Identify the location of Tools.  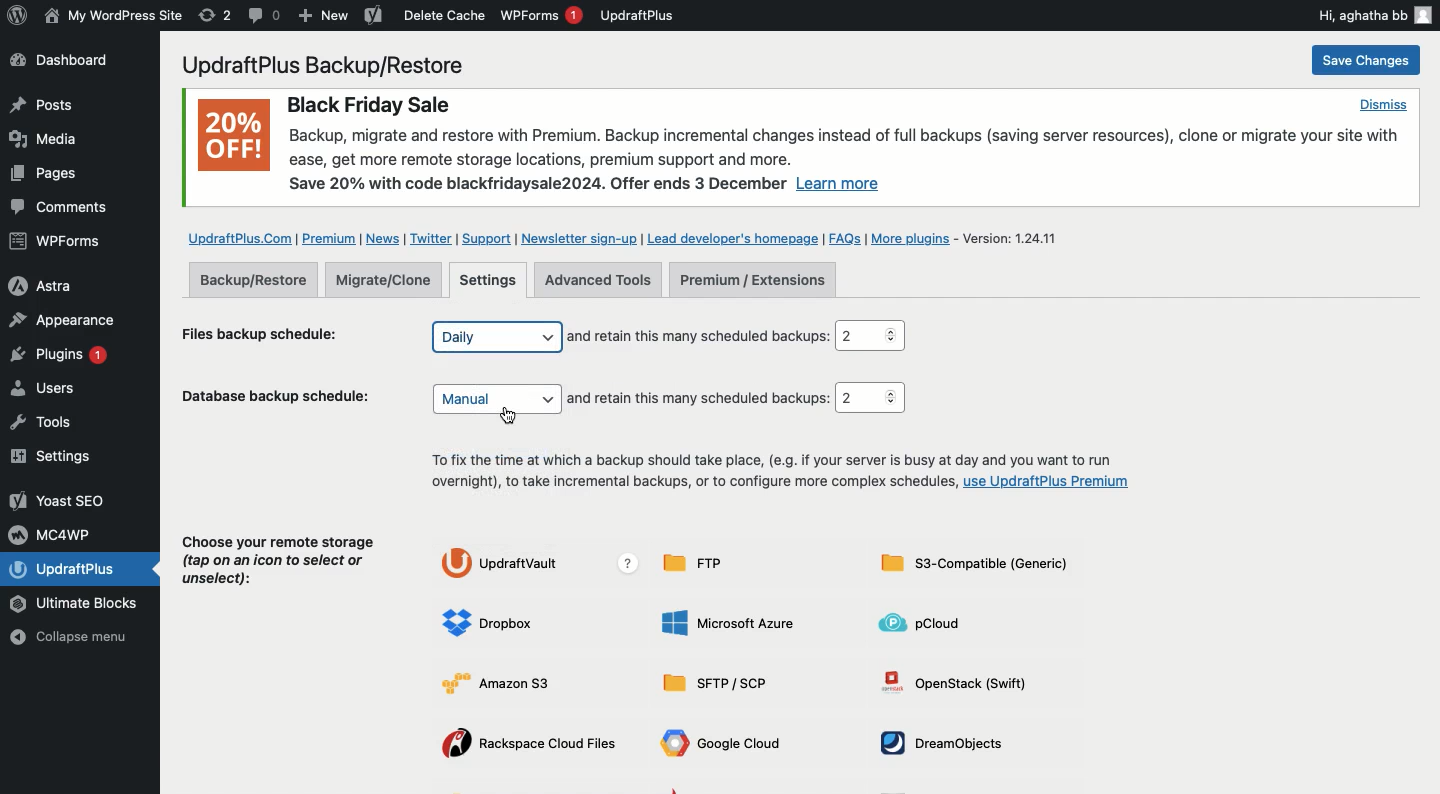
(54, 422).